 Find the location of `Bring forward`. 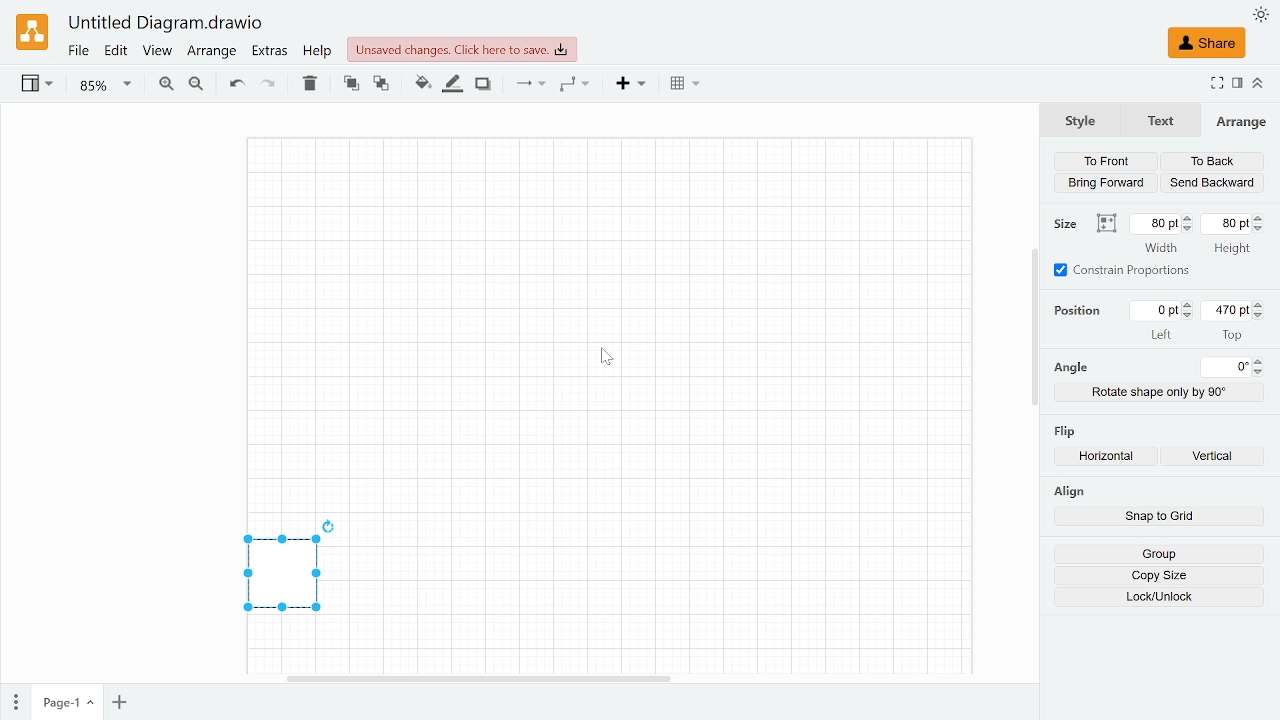

Bring forward is located at coordinates (1108, 182).